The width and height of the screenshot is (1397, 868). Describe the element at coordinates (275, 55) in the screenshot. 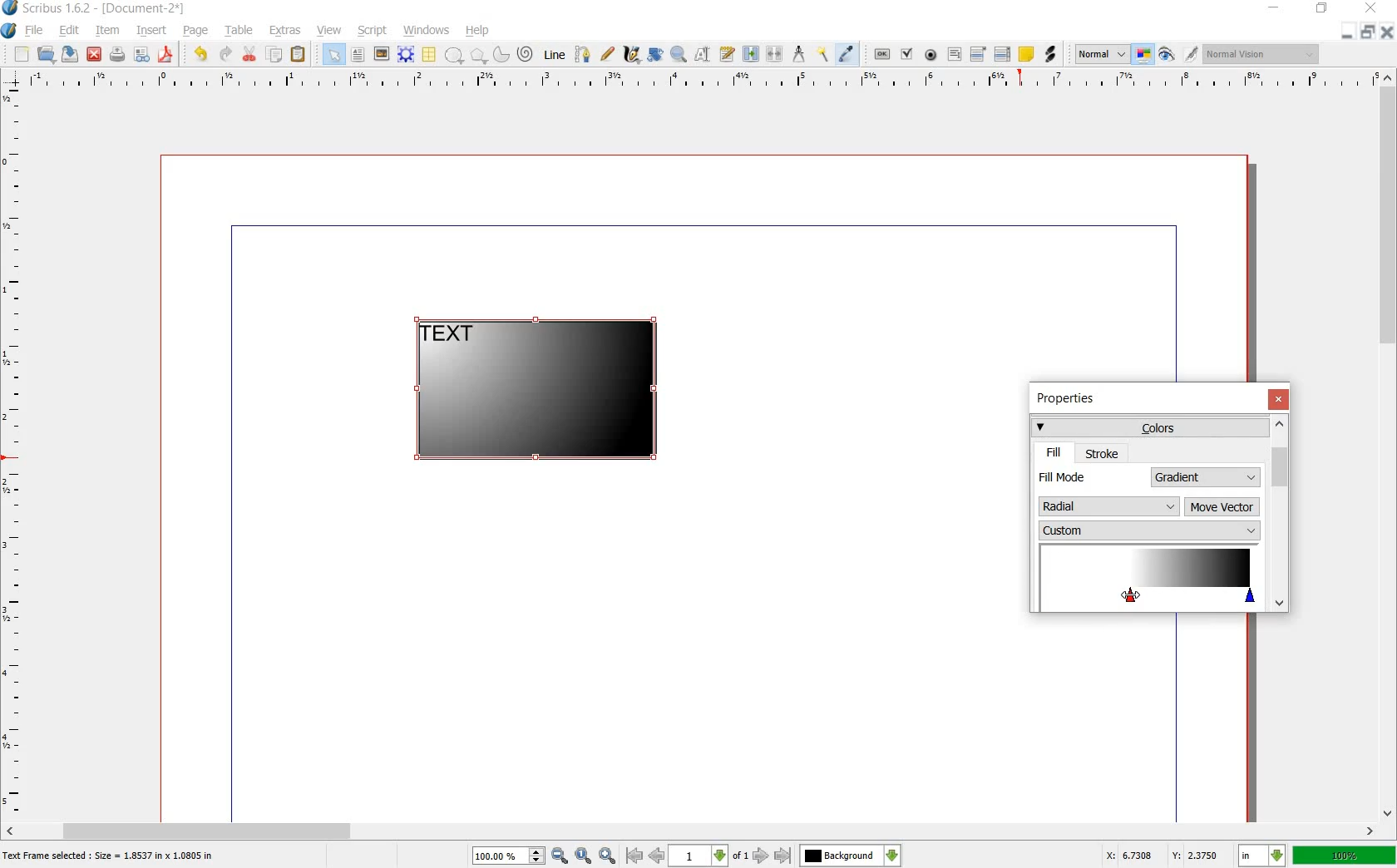

I see `copy` at that location.